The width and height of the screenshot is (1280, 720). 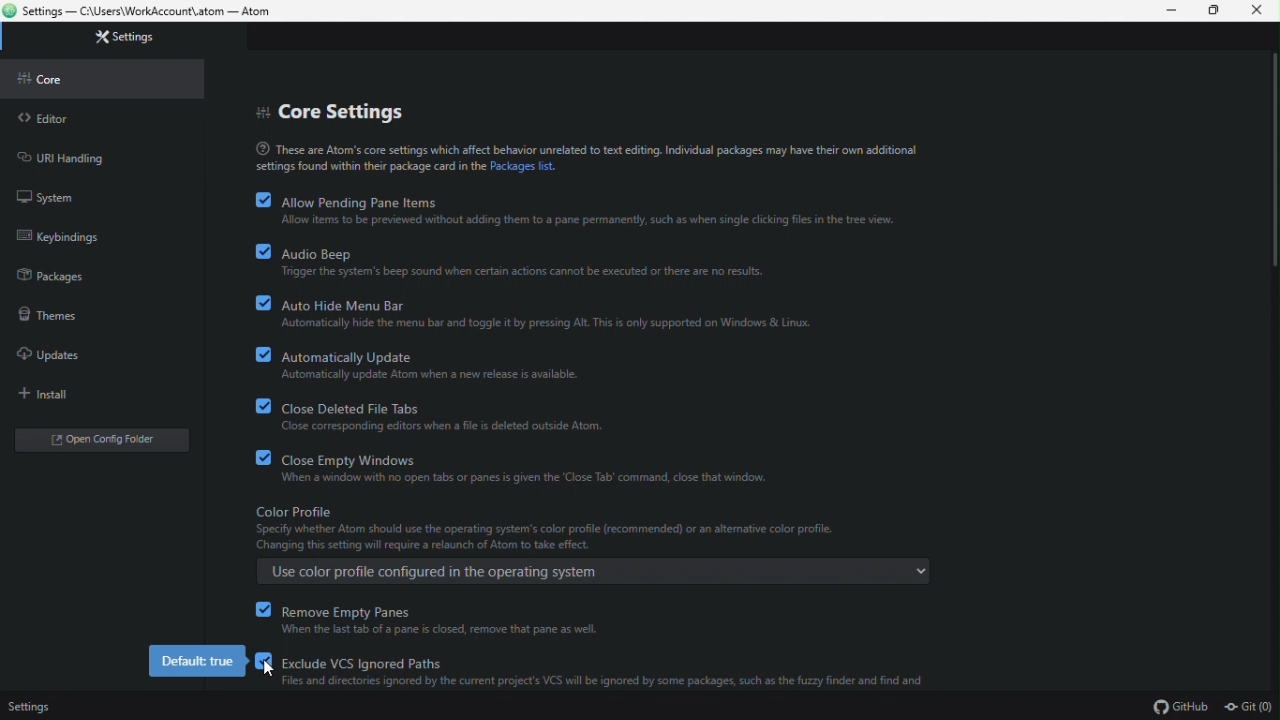 What do you see at coordinates (601, 620) in the screenshot?
I see `reMove empty panes` at bounding box center [601, 620].